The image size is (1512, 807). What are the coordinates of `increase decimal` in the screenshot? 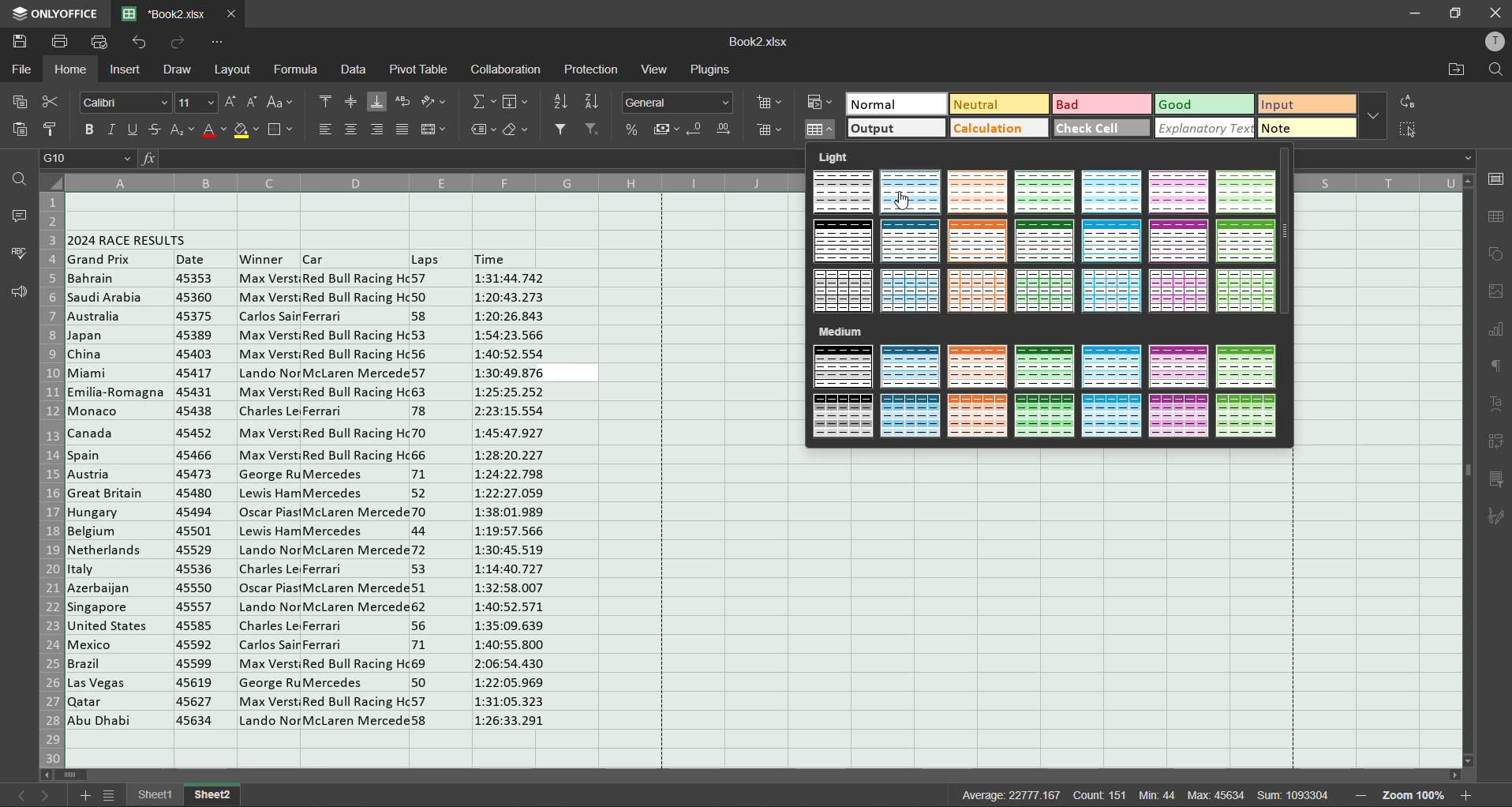 It's located at (725, 131).